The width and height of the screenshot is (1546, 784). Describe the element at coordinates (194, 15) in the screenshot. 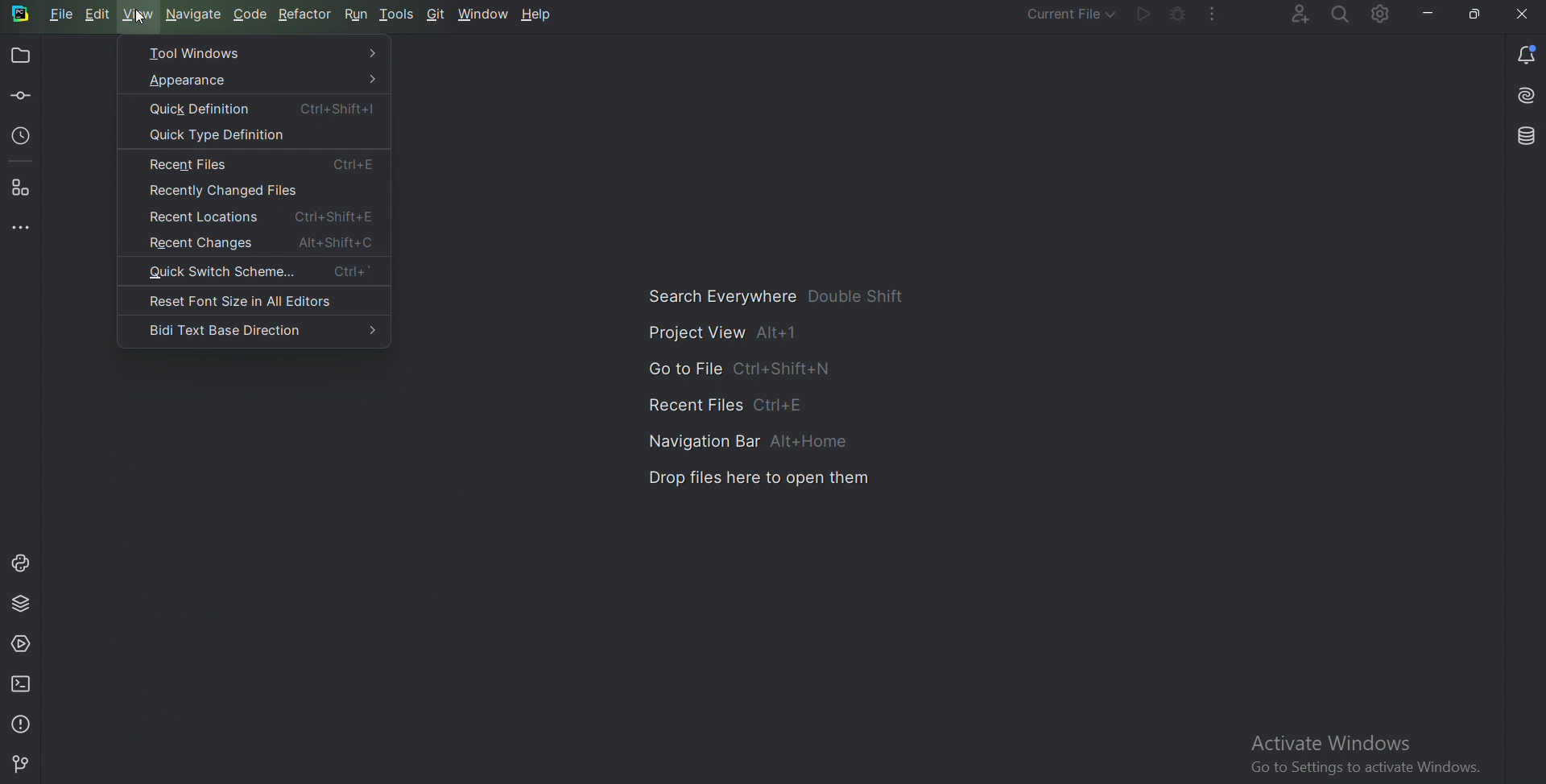

I see `Navigate` at that location.